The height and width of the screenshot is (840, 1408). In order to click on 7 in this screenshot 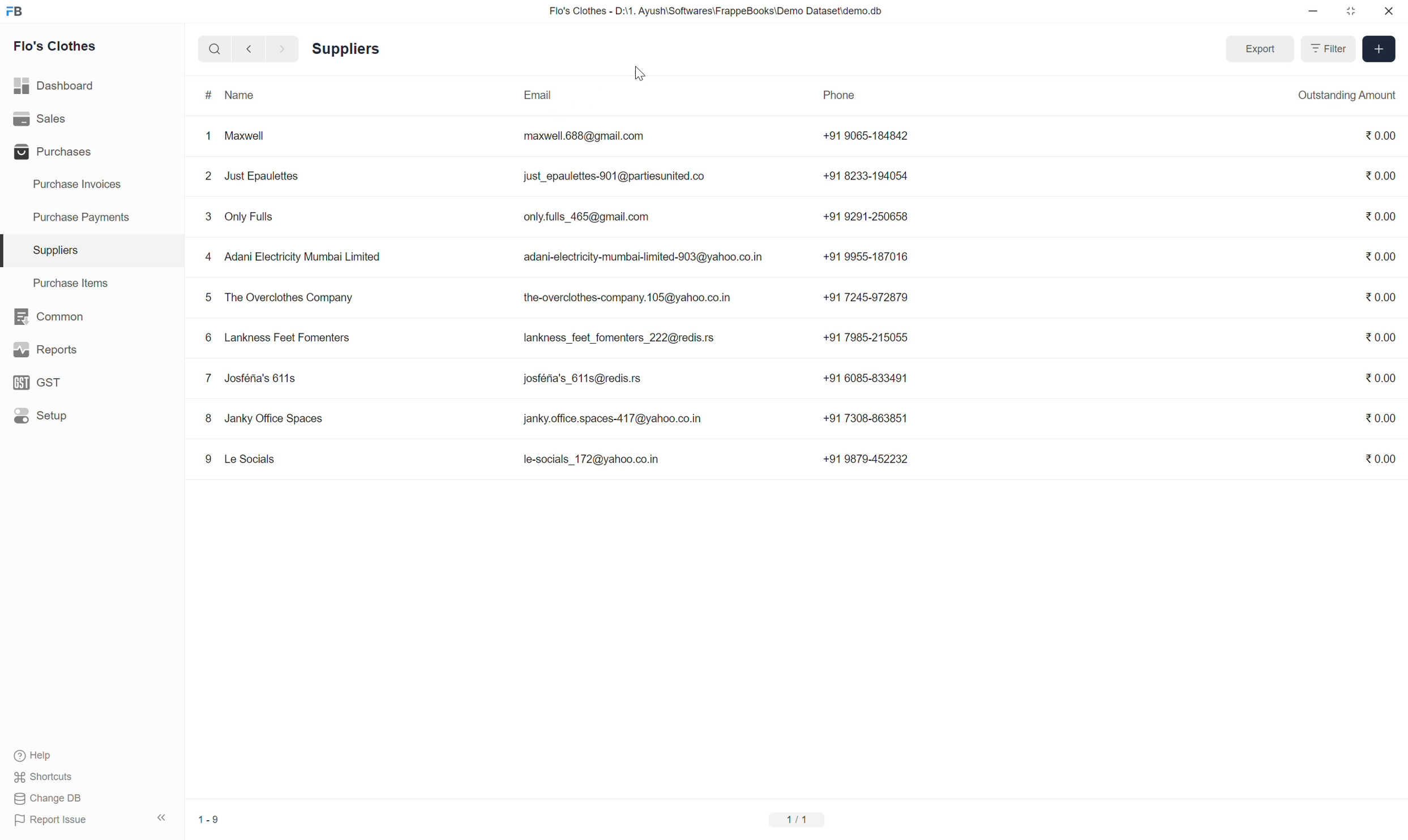, I will do `click(209, 378)`.